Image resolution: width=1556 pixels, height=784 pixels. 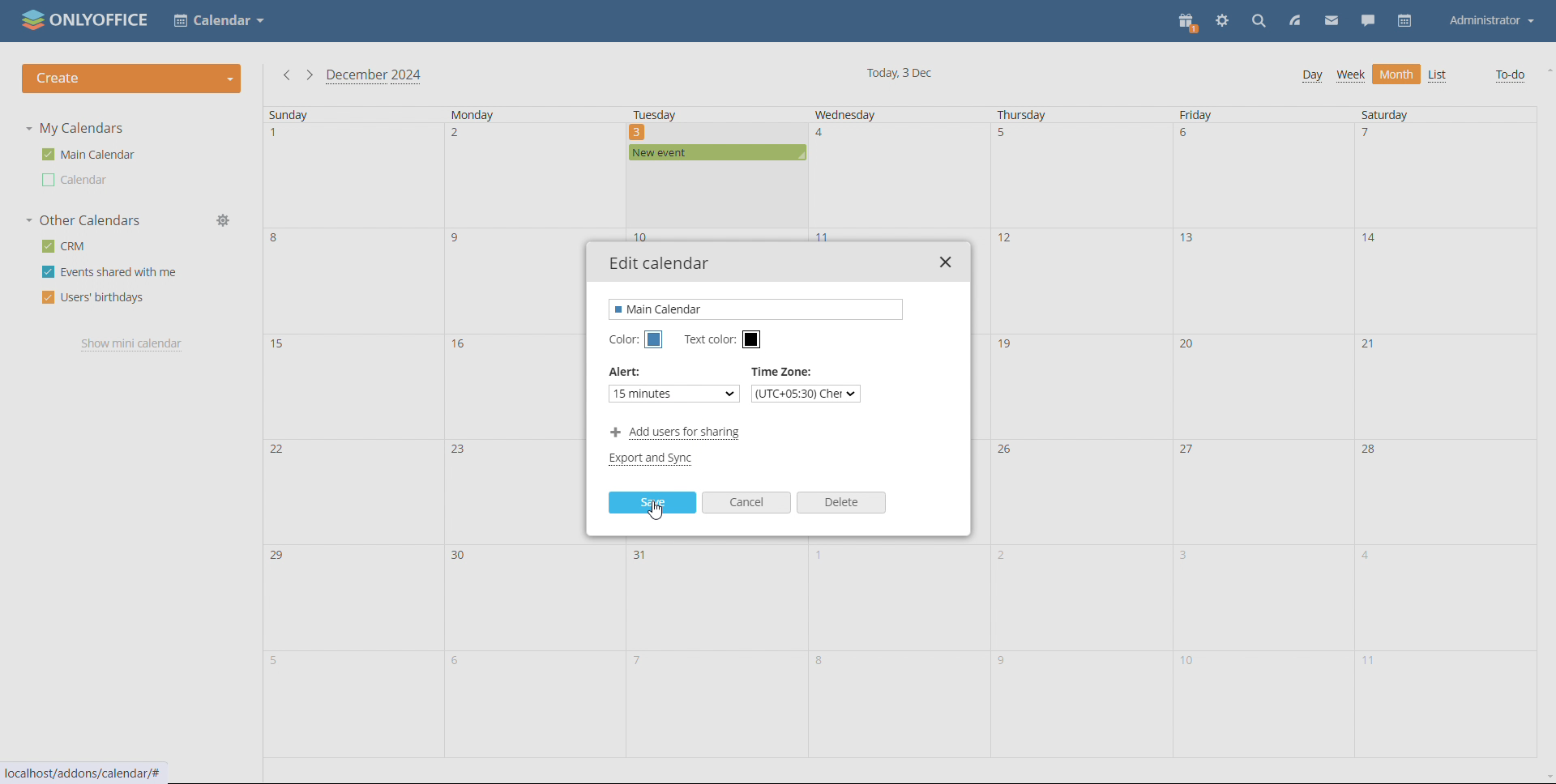 I want to click on date, so click(x=1446, y=279).